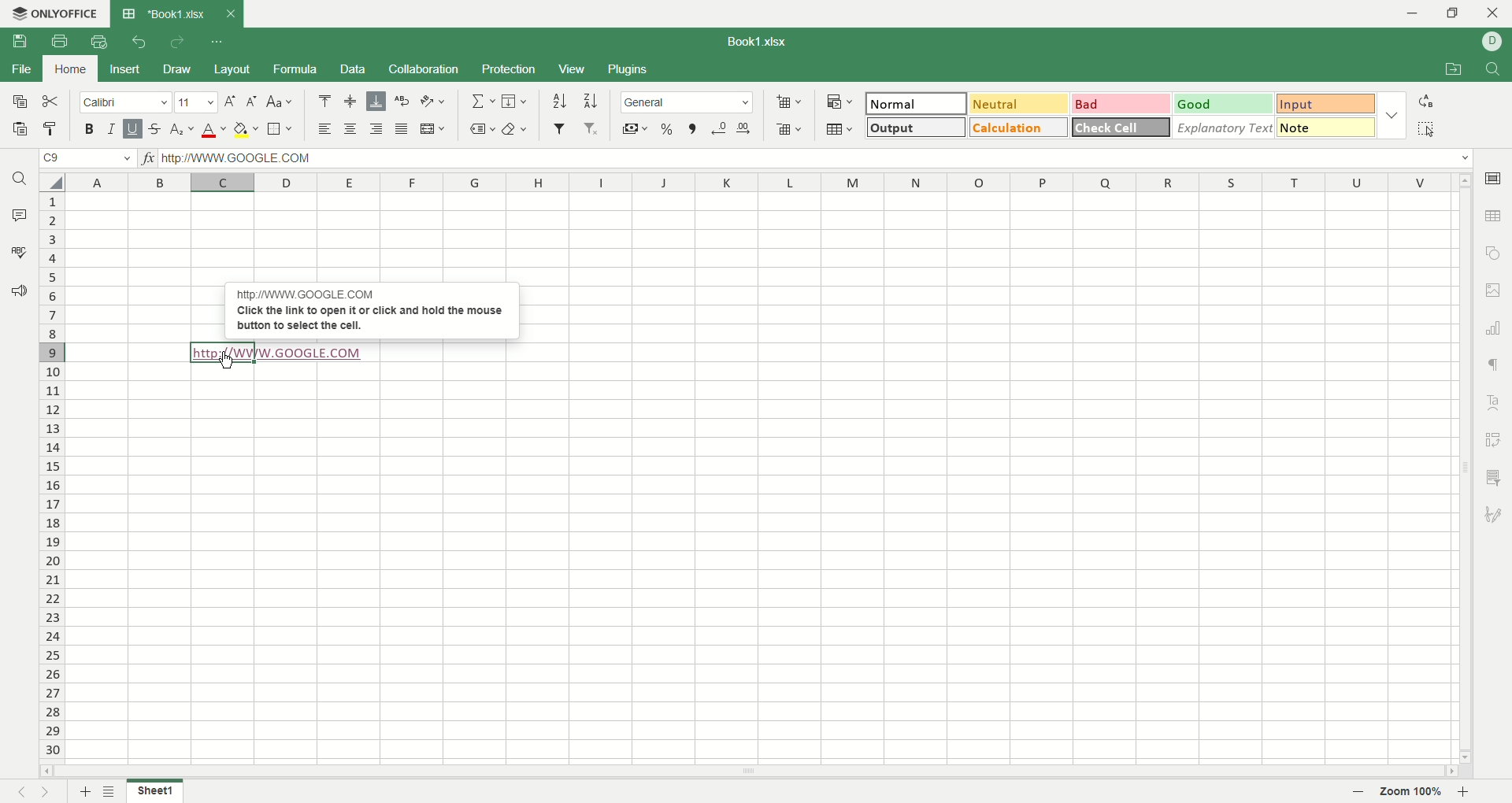 The image size is (1512, 803). I want to click on new sheet, so click(86, 790).